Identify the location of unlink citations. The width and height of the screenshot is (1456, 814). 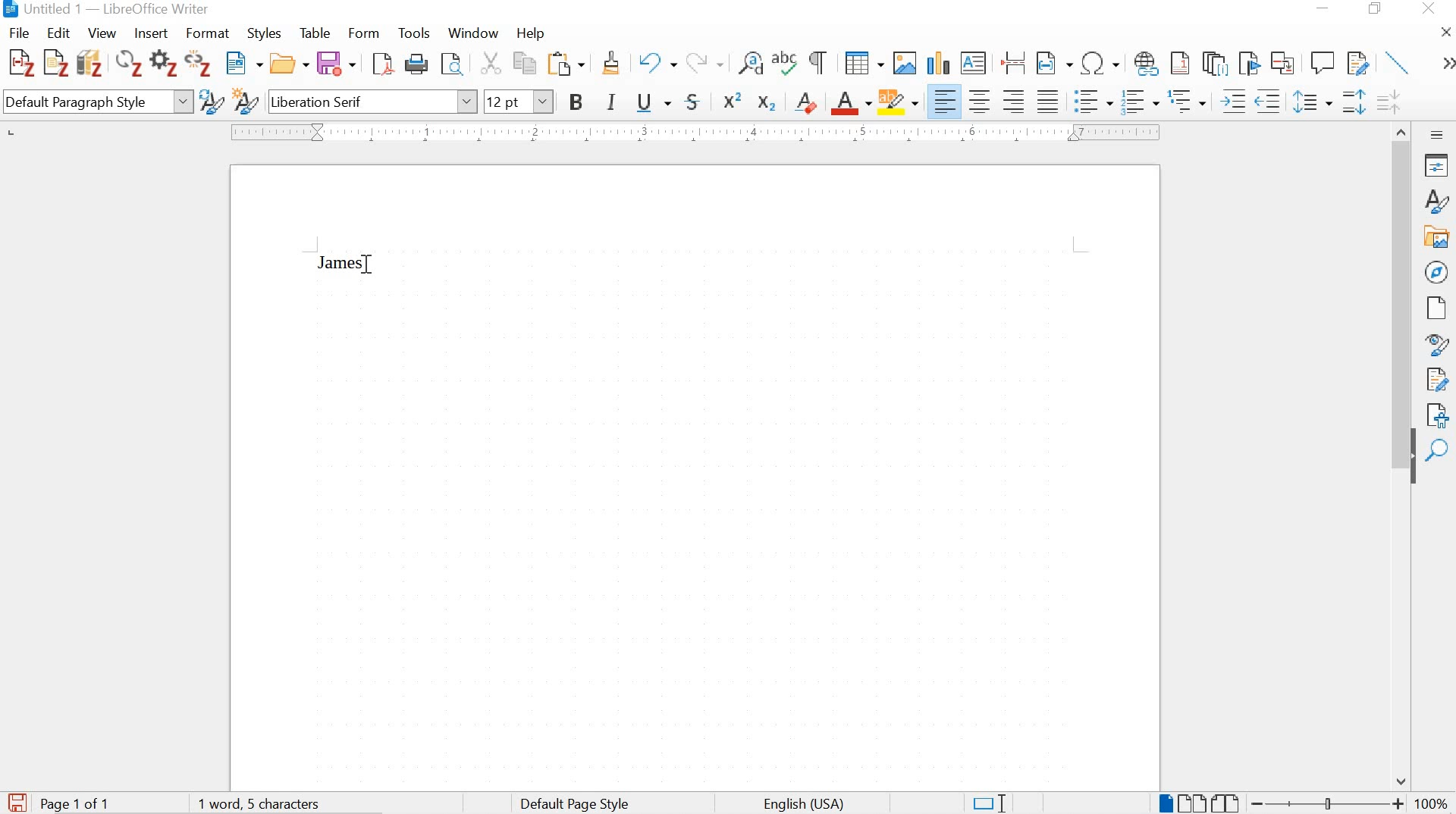
(199, 66).